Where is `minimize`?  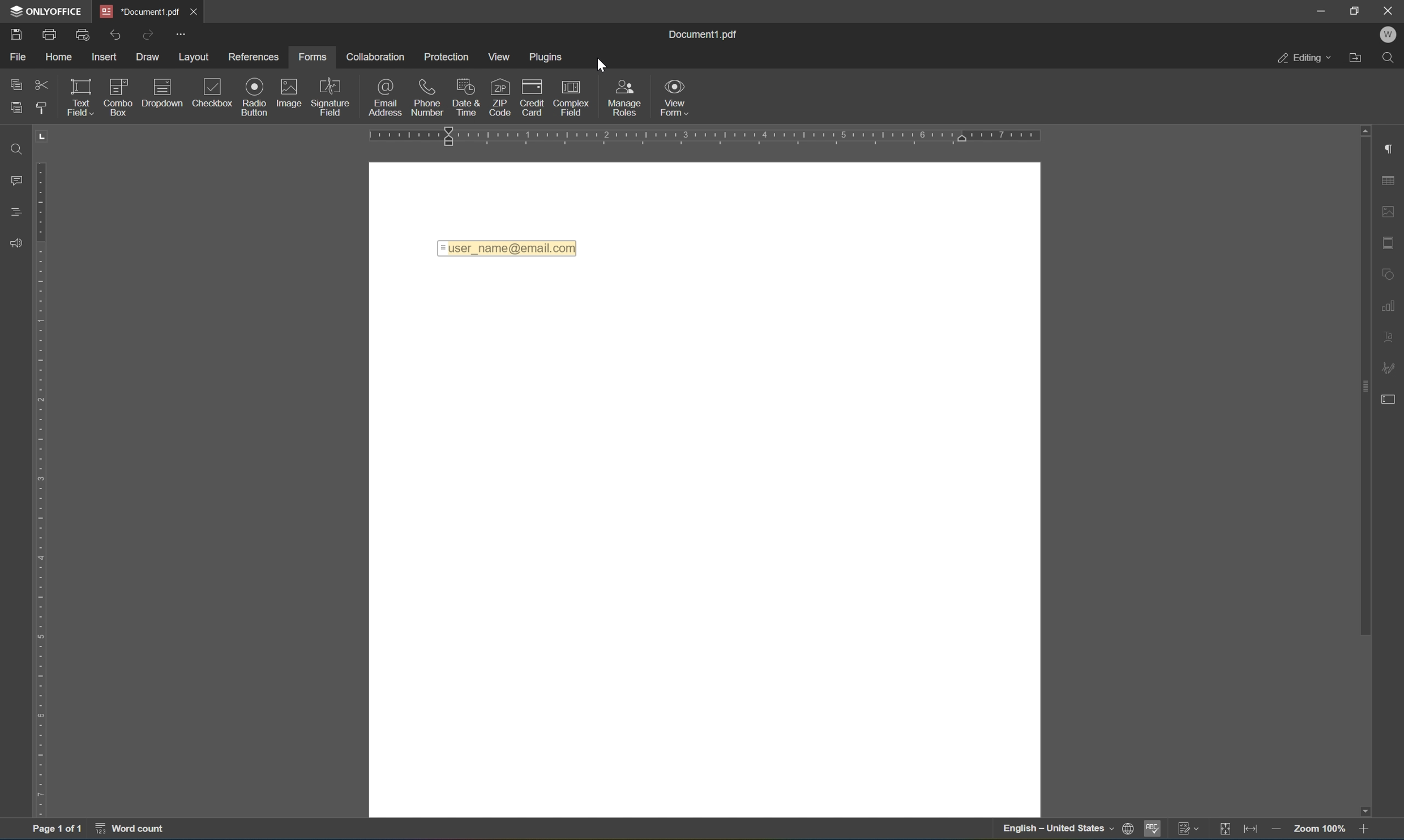
minimize is located at coordinates (1317, 12).